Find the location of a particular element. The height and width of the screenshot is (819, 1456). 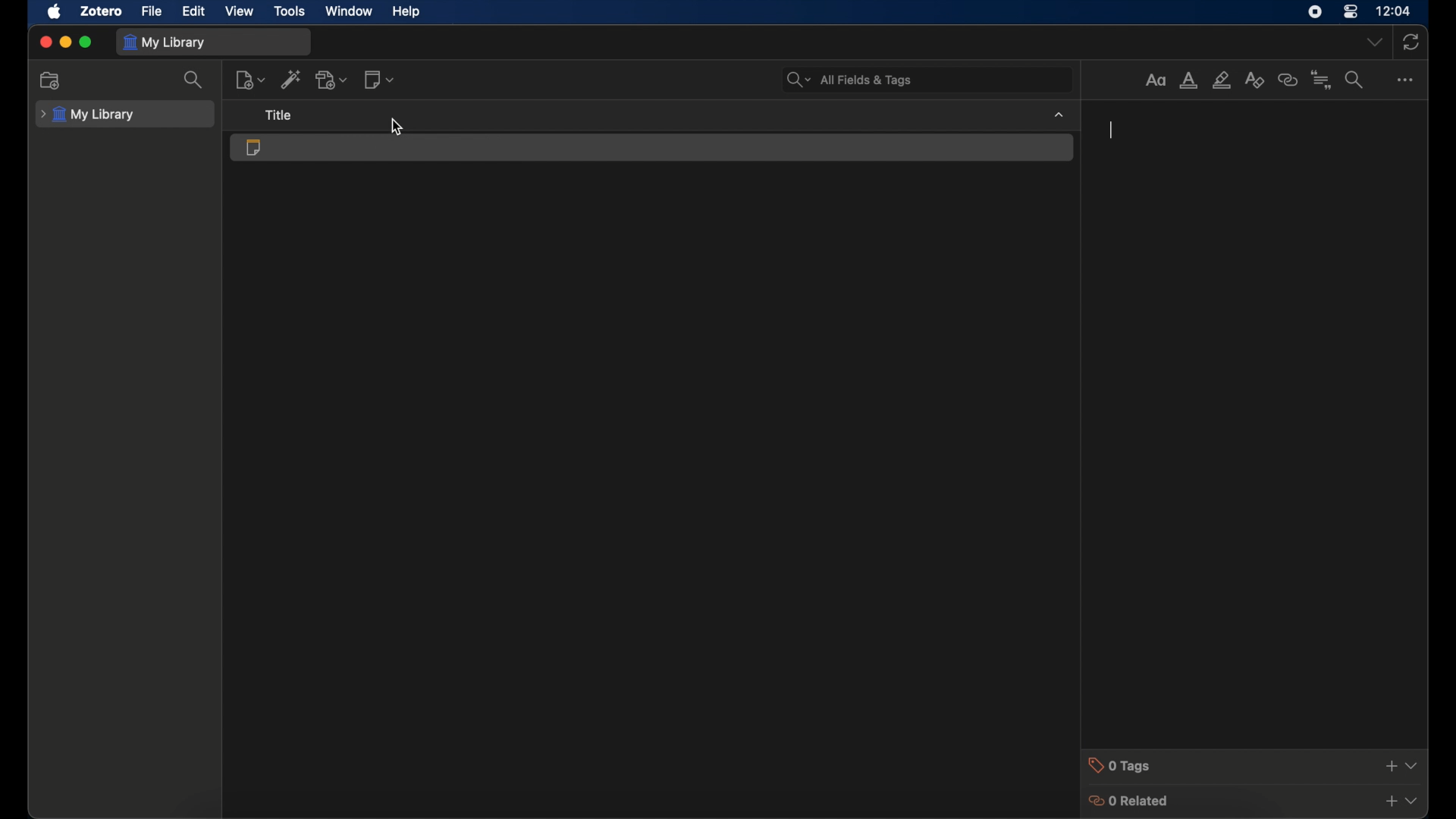

time is located at coordinates (1393, 11).